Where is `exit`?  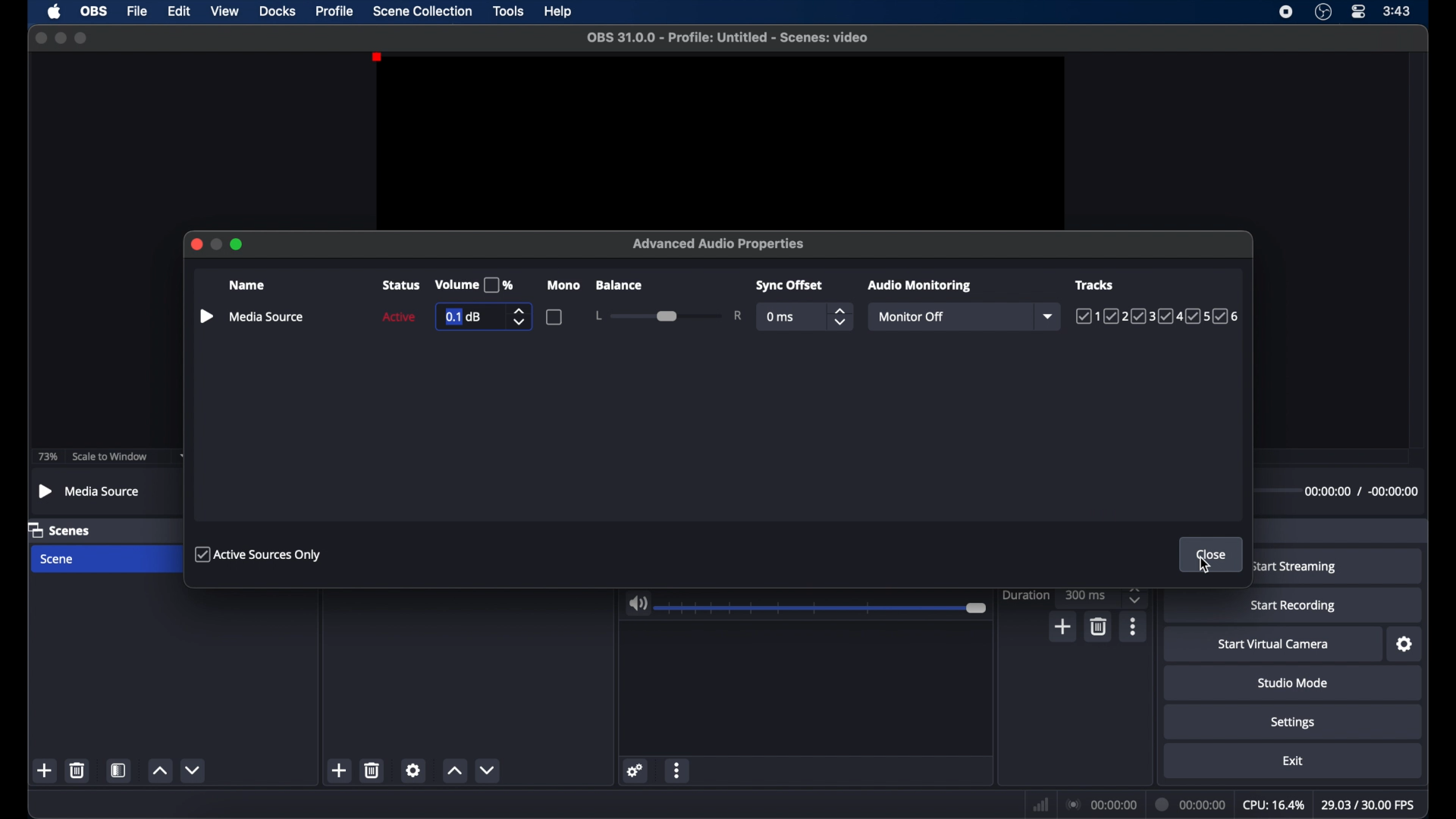 exit is located at coordinates (1295, 761).